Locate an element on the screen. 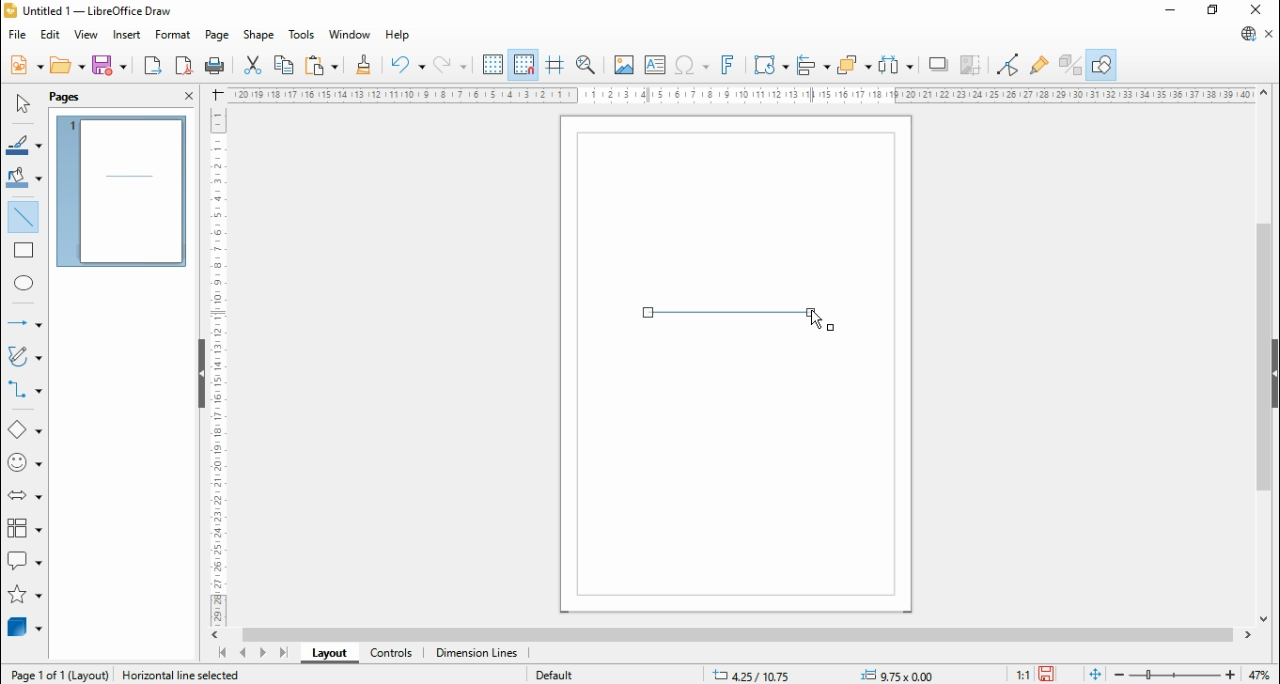 This screenshot has height=684, width=1280. ellipse is located at coordinates (24, 282).